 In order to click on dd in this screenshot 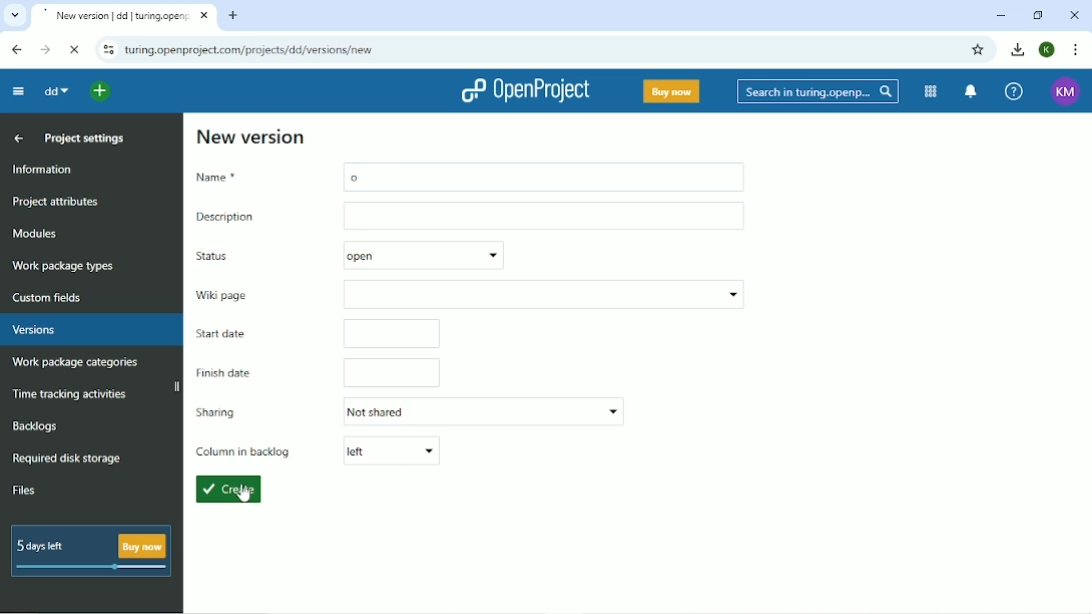, I will do `click(57, 90)`.